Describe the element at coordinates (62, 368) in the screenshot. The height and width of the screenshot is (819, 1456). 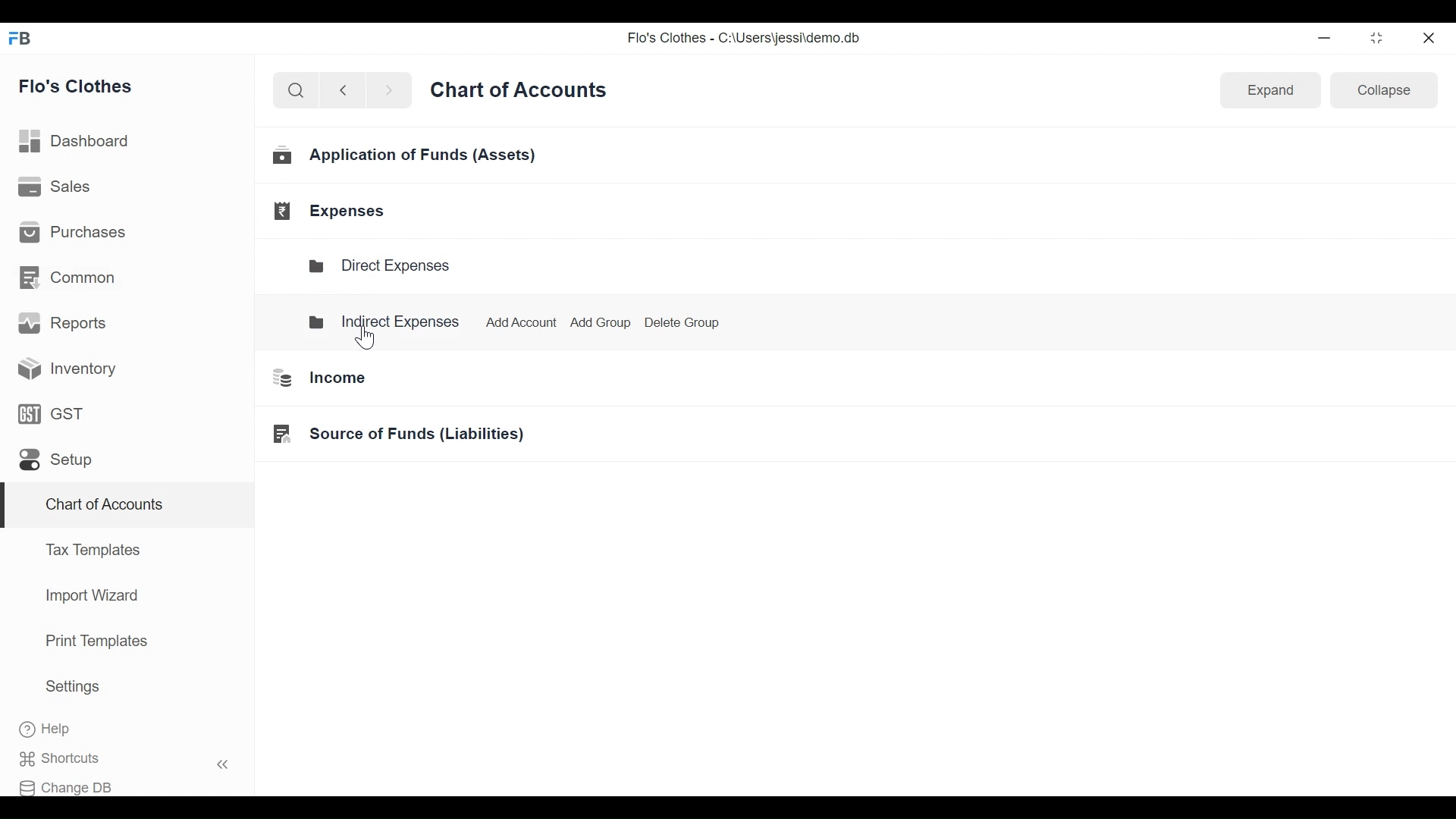
I see `Inventory` at that location.